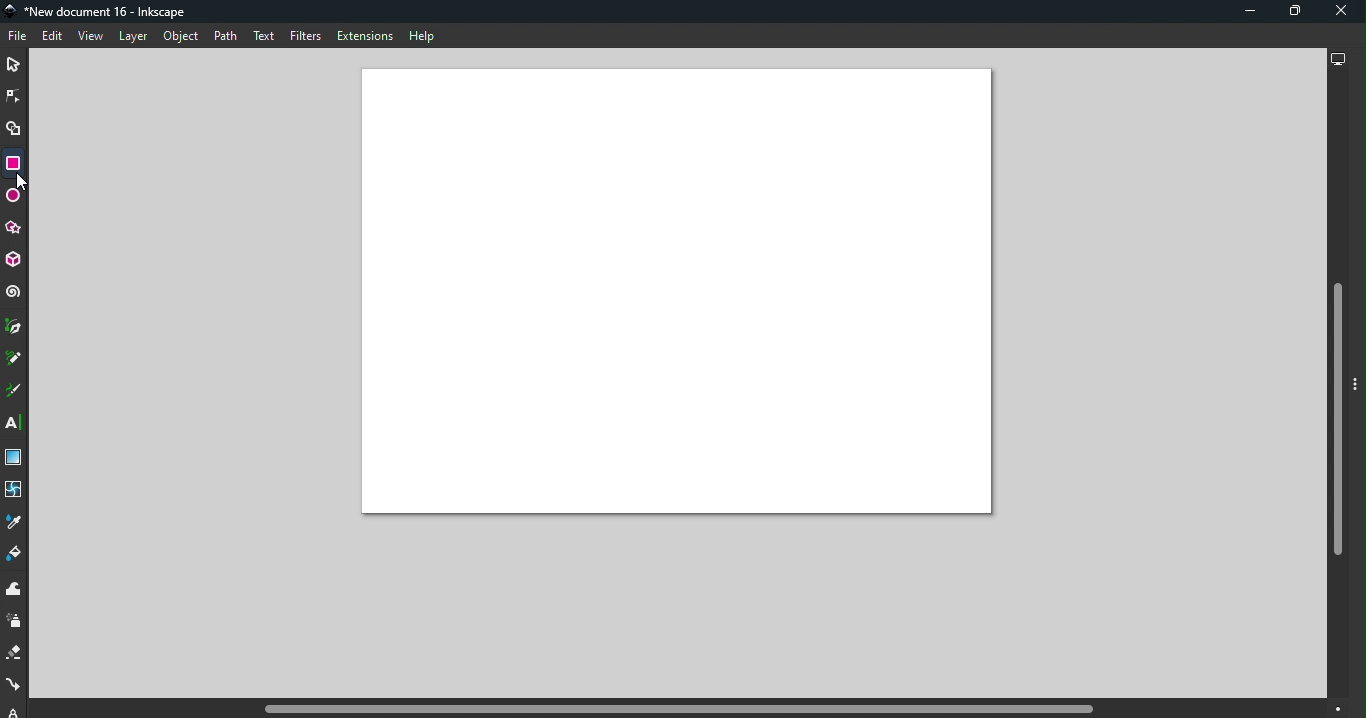 This screenshot has height=718, width=1366. Describe the element at coordinates (20, 37) in the screenshot. I see `File` at that location.